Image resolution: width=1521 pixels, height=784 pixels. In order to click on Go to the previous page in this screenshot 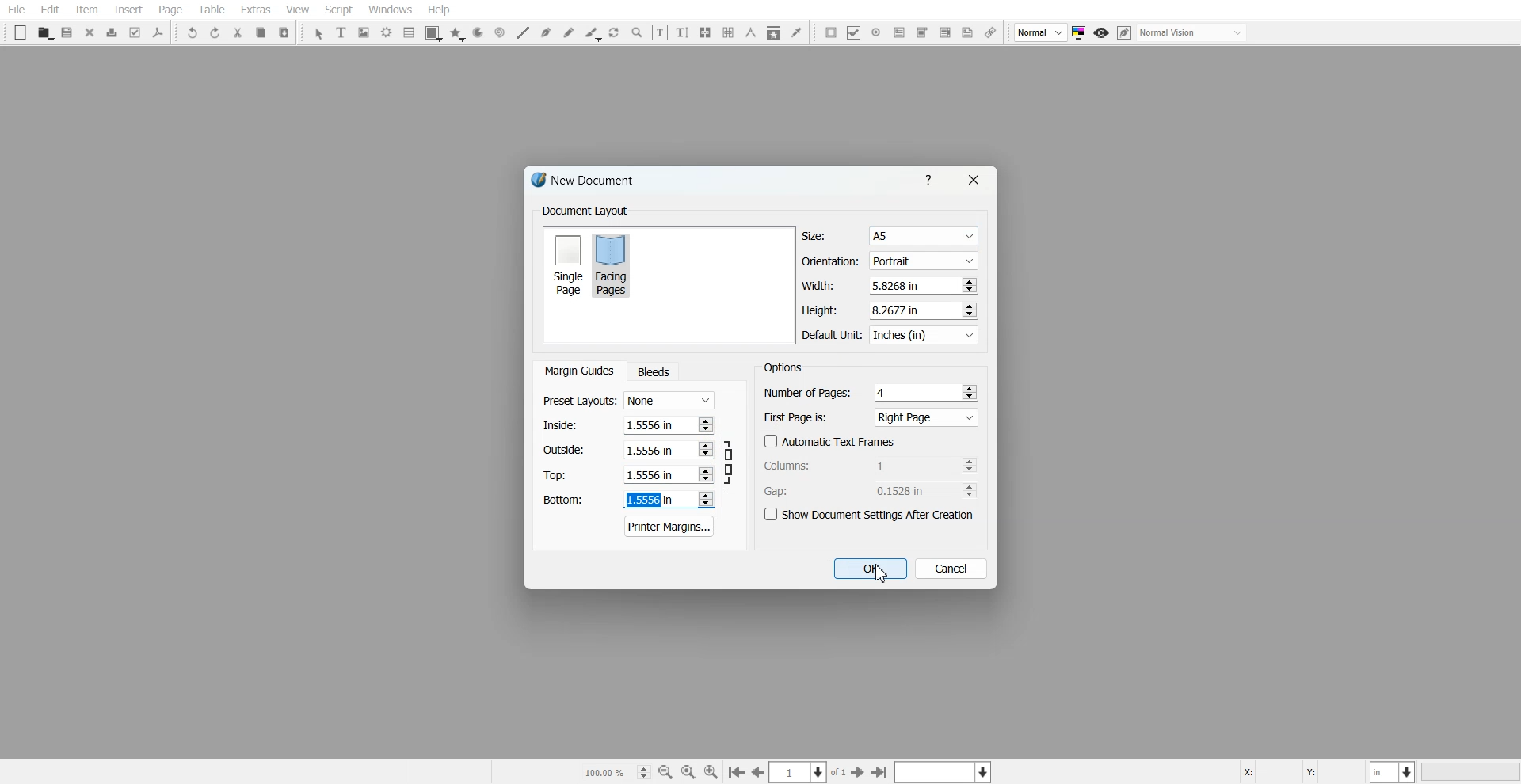, I will do `click(758, 772)`.